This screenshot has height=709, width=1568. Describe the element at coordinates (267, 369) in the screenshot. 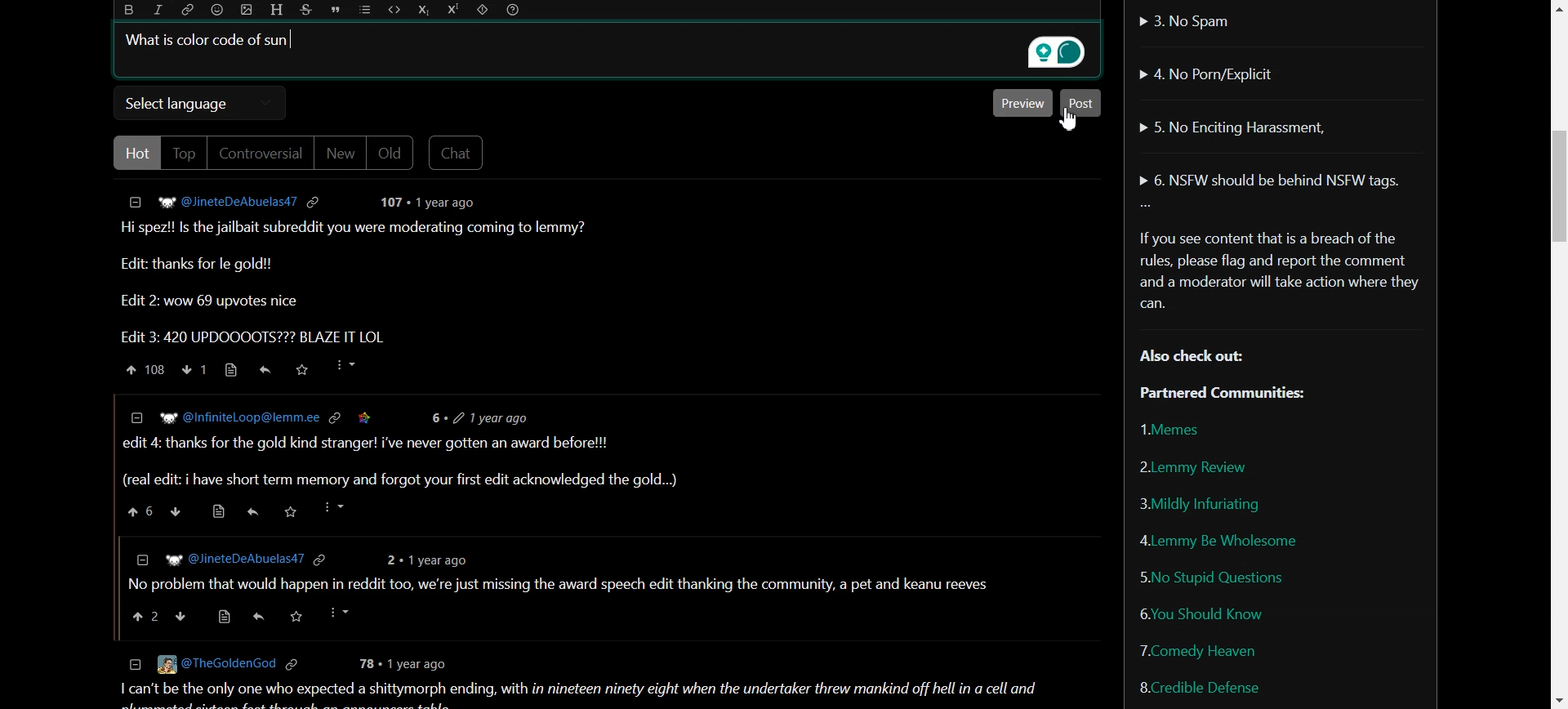

I see `Reply` at that location.